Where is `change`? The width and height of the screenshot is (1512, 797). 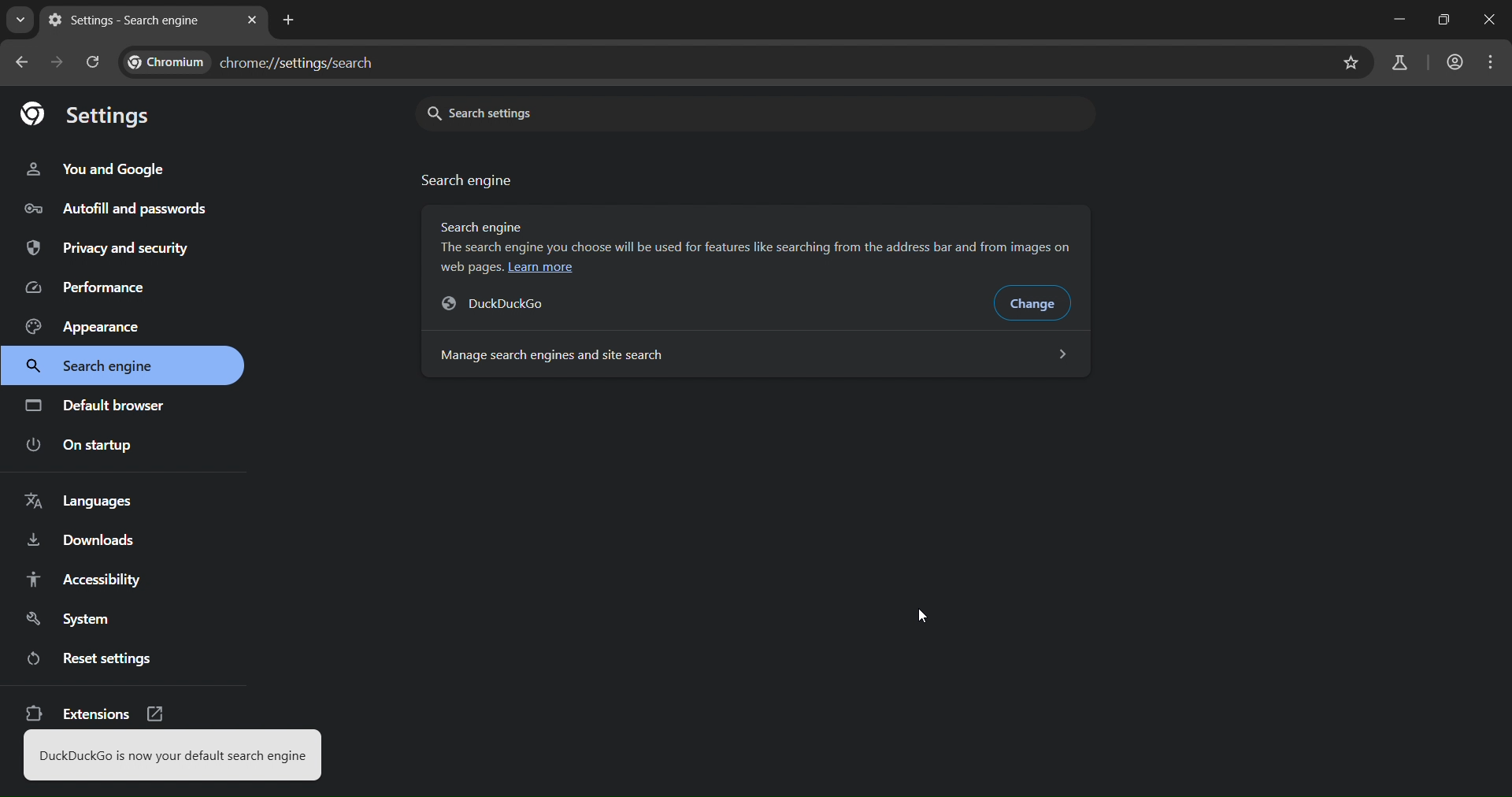 change is located at coordinates (1038, 305).